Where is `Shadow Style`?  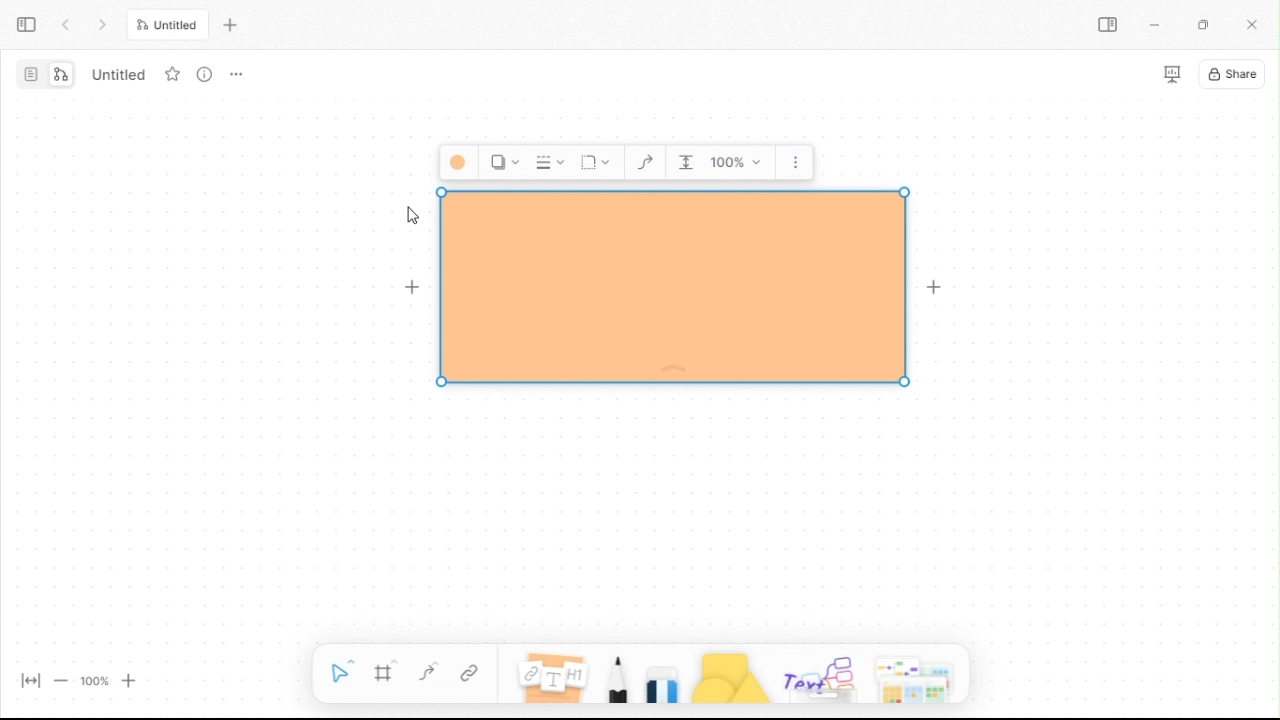 Shadow Style is located at coordinates (503, 162).